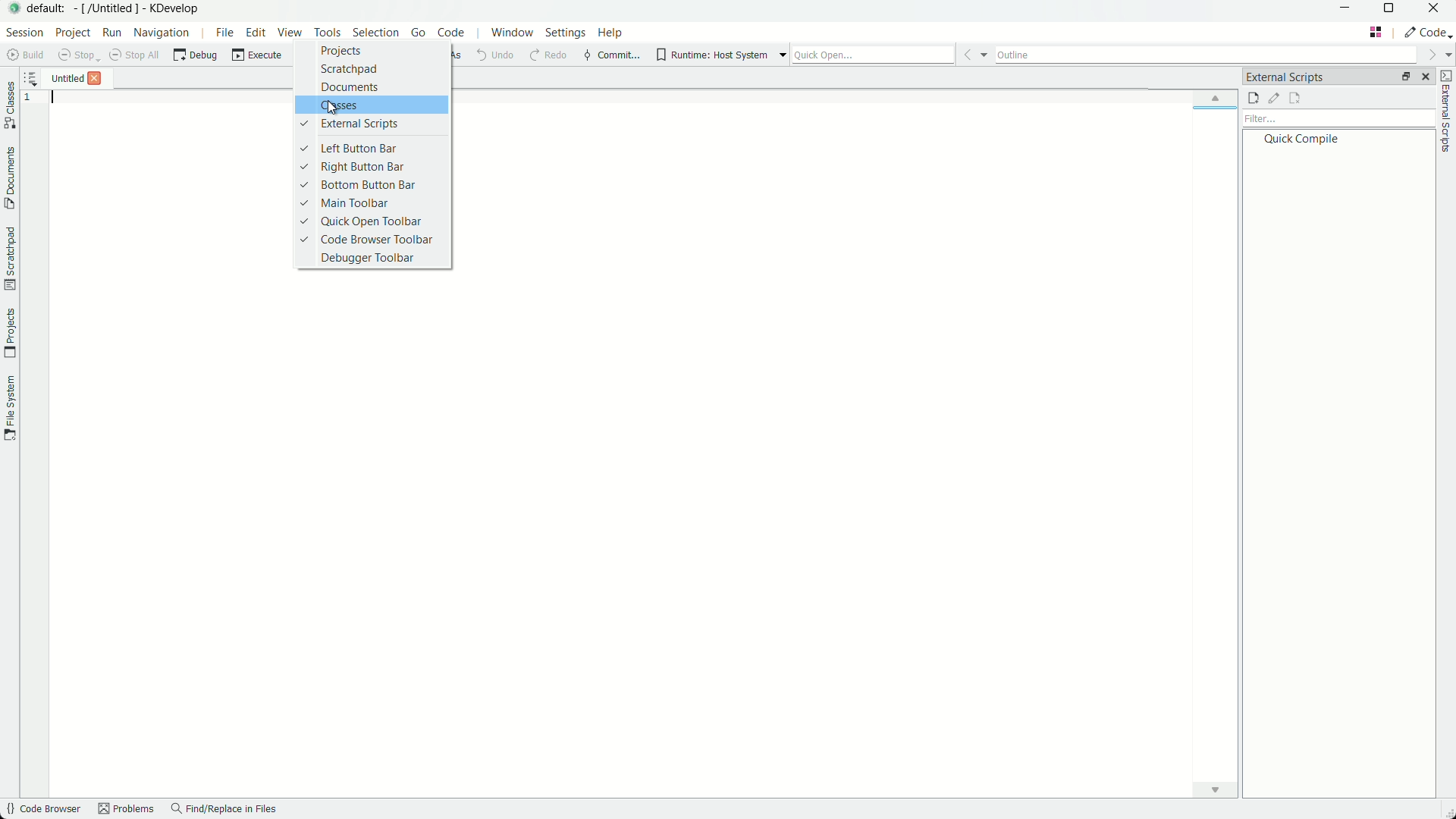 The width and height of the screenshot is (1456, 819). What do you see at coordinates (452, 35) in the screenshot?
I see `code` at bounding box center [452, 35].